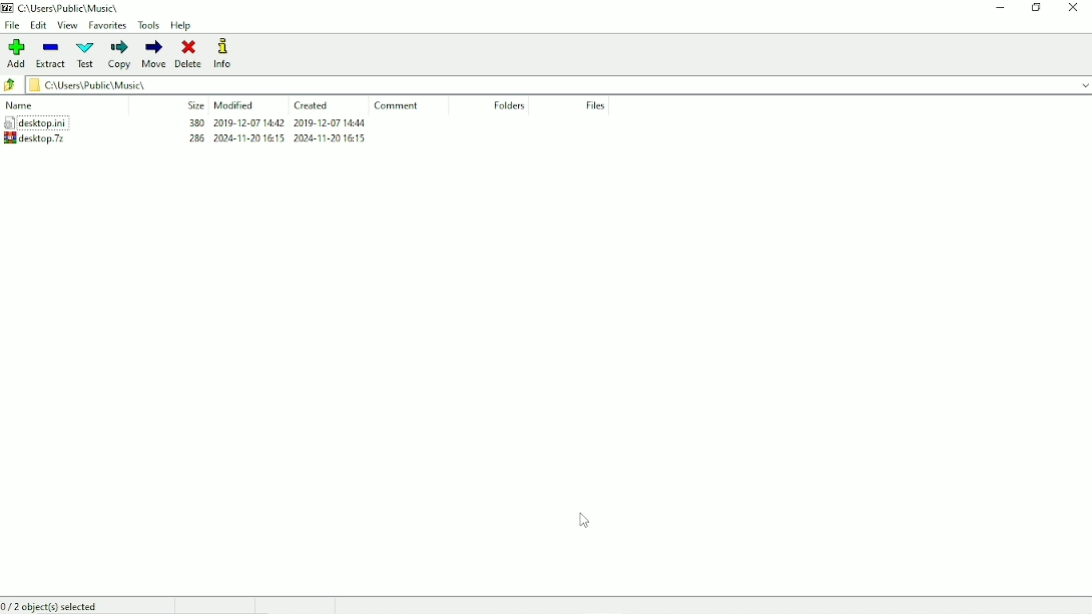 This screenshot has width=1092, height=614. Describe the element at coordinates (154, 54) in the screenshot. I see `Move` at that location.